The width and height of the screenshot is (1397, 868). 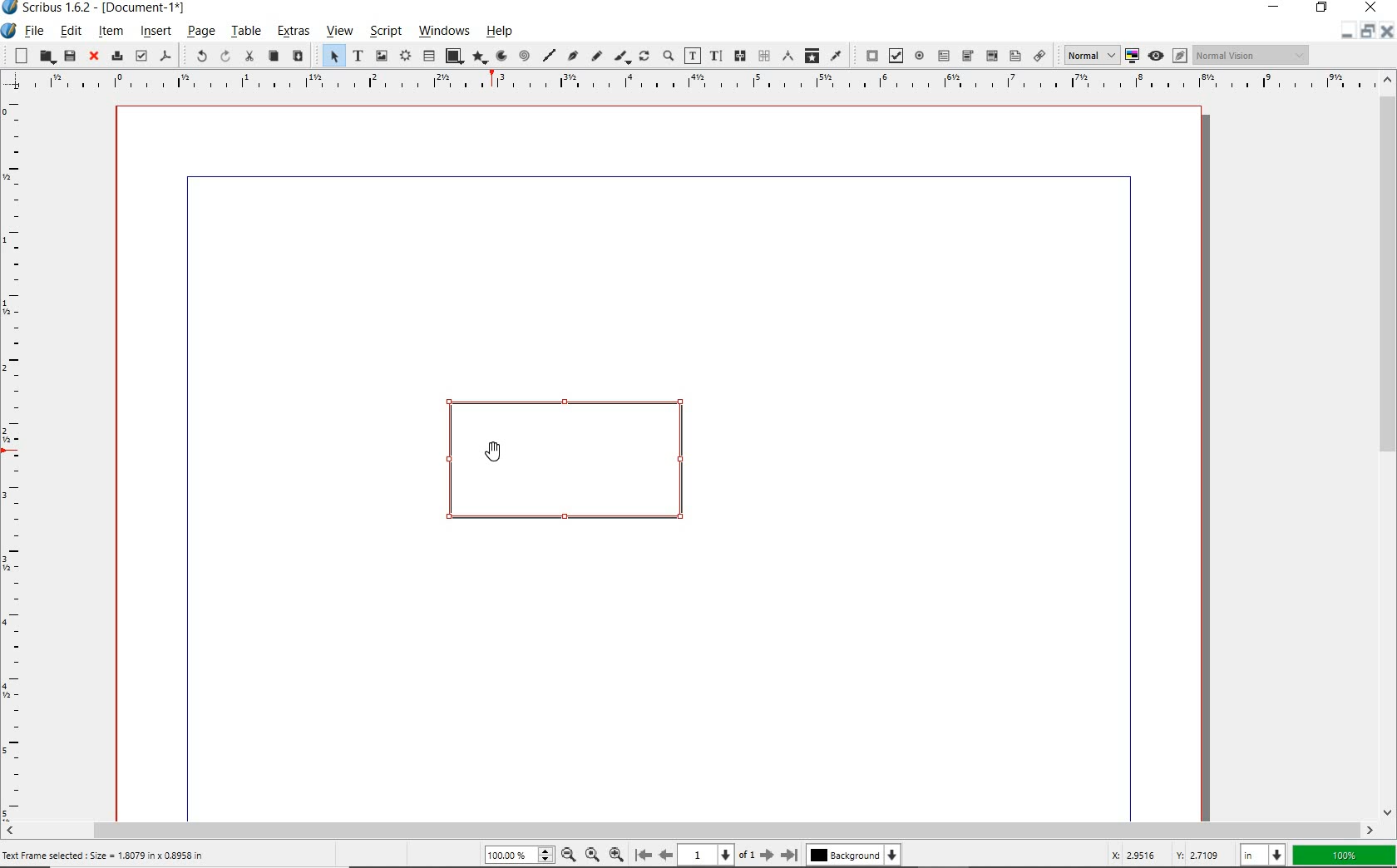 What do you see at coordinates (1253, 57) in the screenshot?
I see `Normal Vision` at bounding box center [1253, 57].